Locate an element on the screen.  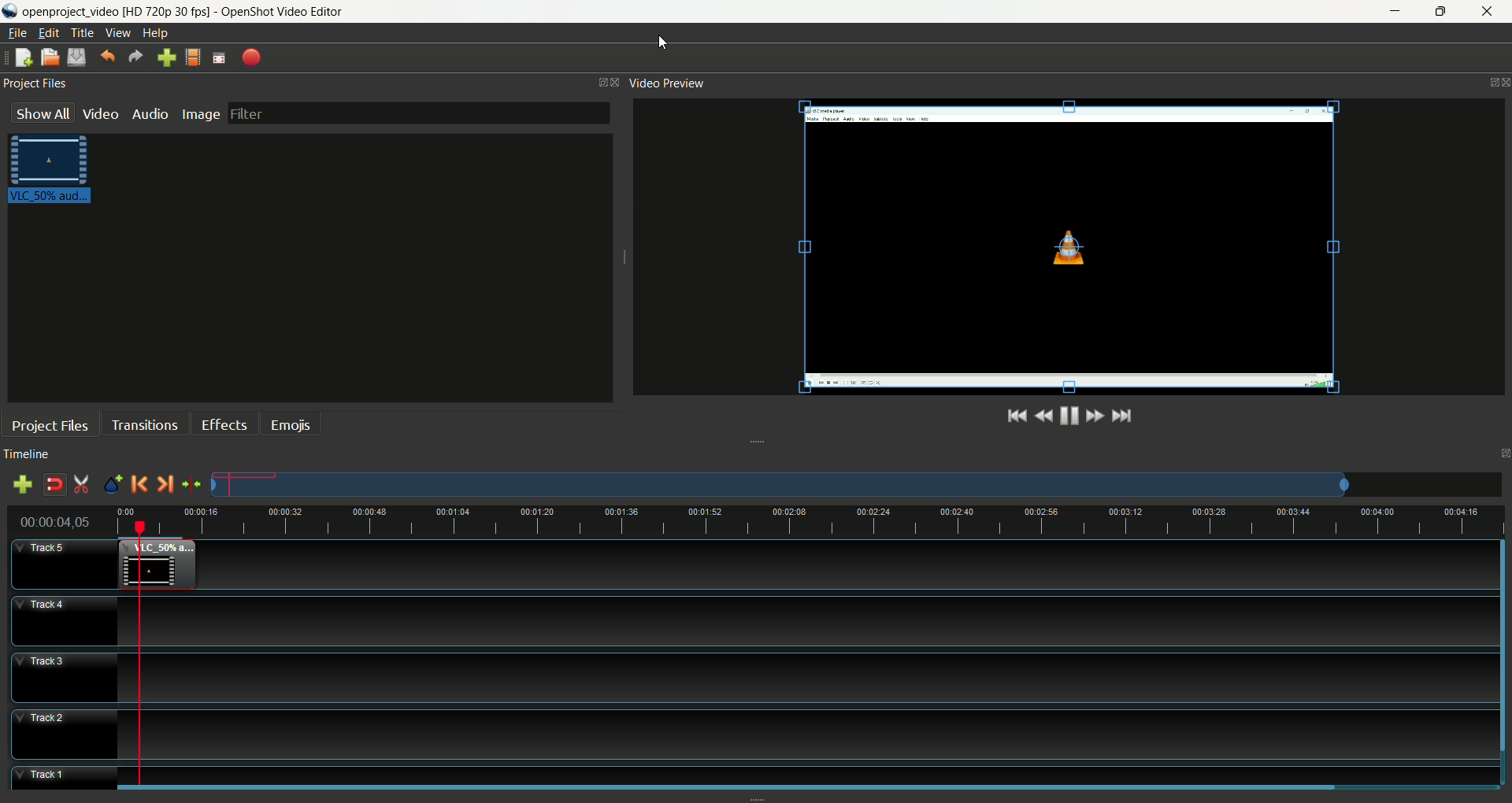
track4 is located at coordinates (64, 620).